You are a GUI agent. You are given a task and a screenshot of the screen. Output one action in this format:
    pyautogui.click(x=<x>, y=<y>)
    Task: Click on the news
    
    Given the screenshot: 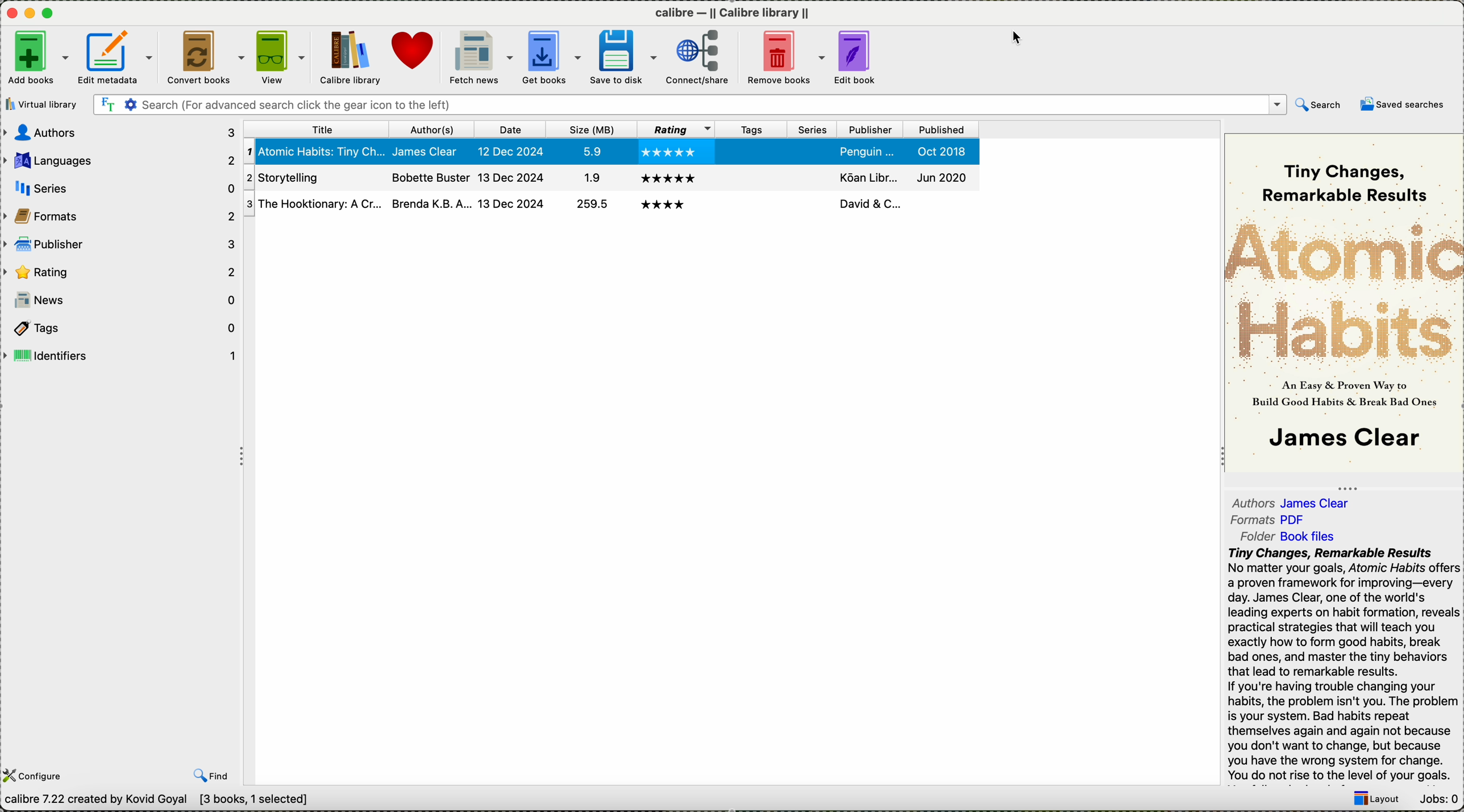 What is the action you would take?
    pyautogui.click(x=121, y=300)
    